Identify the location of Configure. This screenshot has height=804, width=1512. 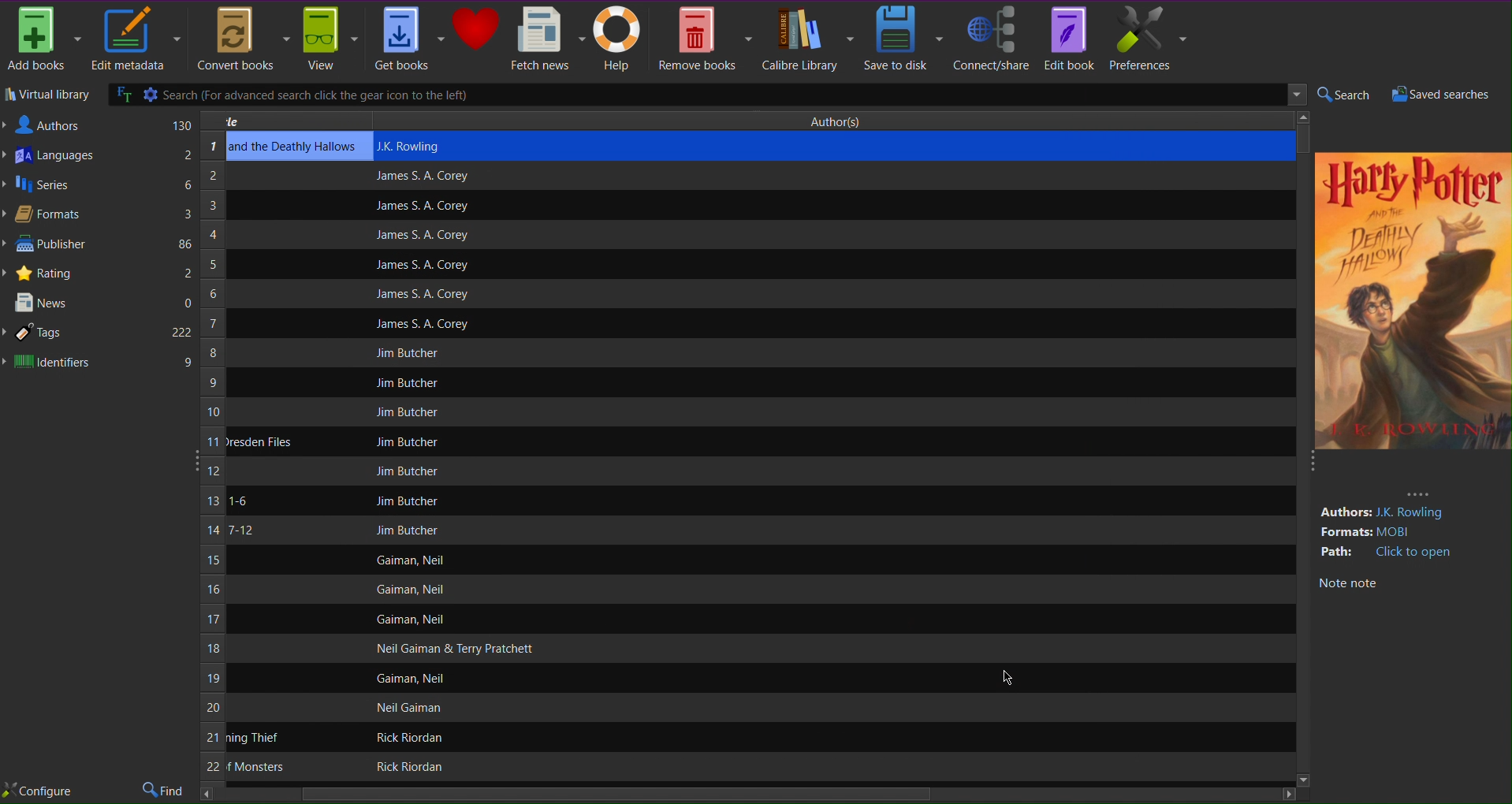
(38, 791).